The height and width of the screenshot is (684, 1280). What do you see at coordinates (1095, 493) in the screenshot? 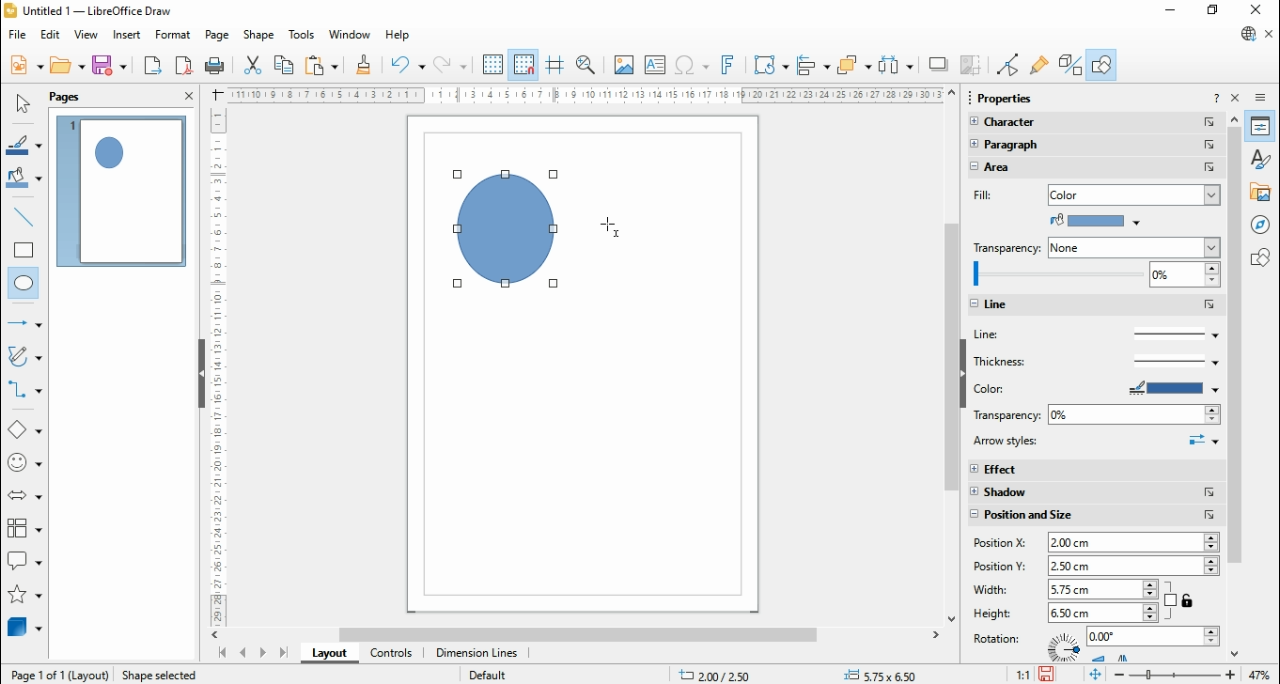
I see `shadow` at bounding box center [1095, 493].